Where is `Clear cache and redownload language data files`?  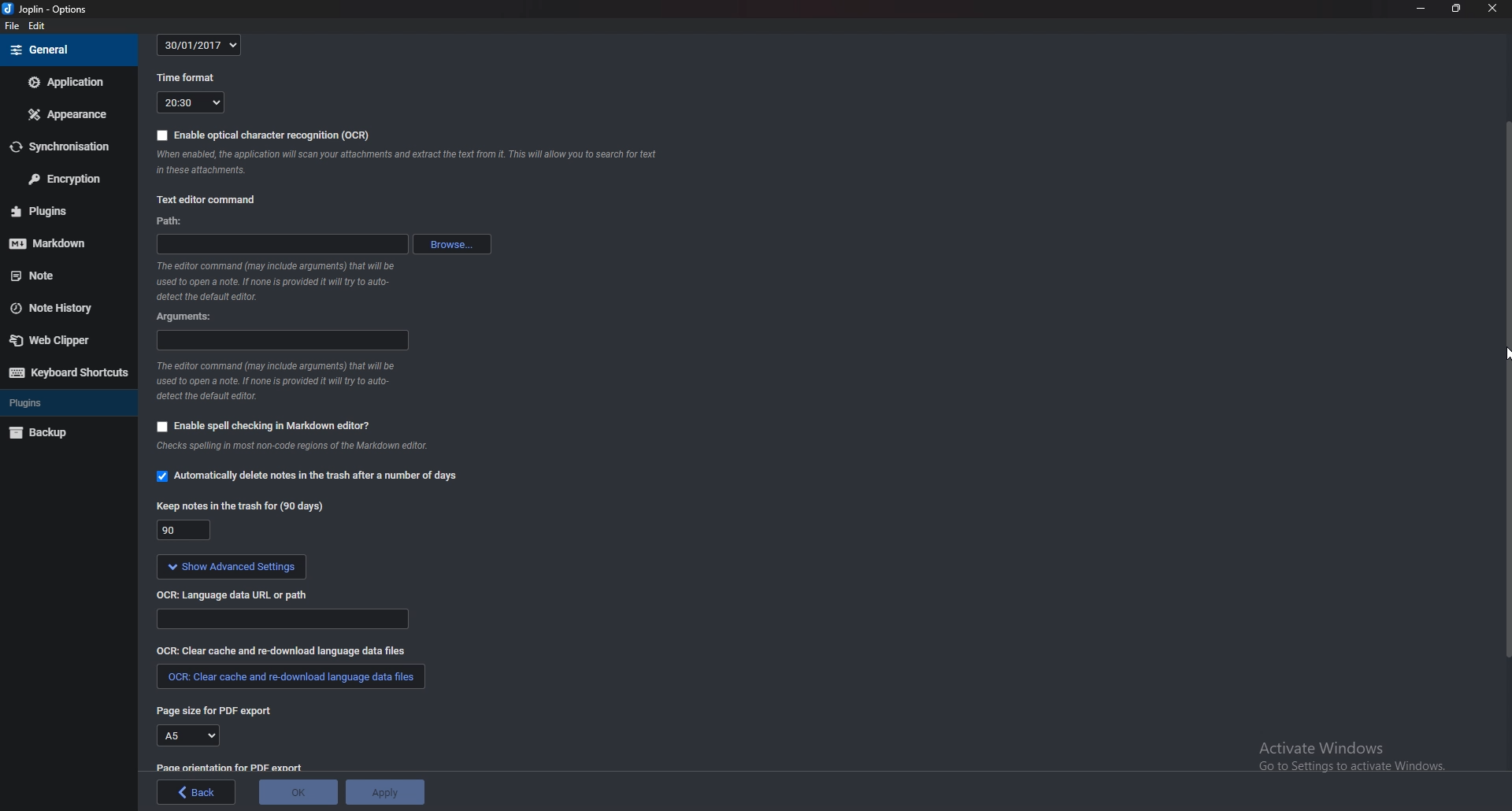
Clear cache and redownload language data files is located at coordinates (282, 652).